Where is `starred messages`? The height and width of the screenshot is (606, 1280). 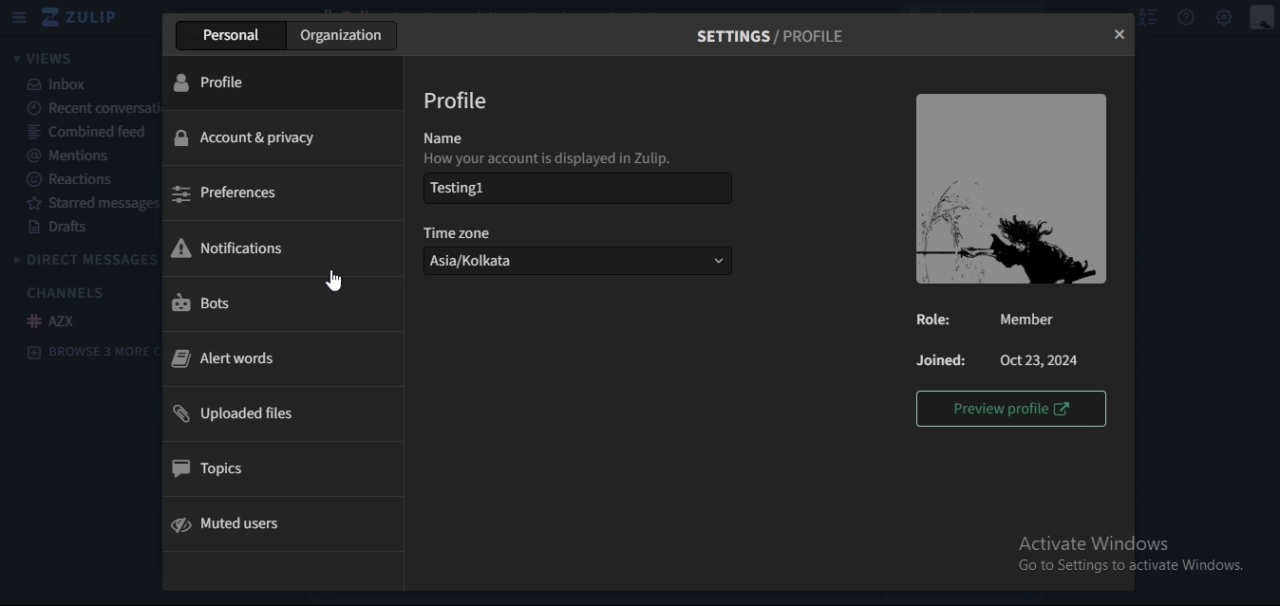 starred messages is located at coordinates (94, 204).